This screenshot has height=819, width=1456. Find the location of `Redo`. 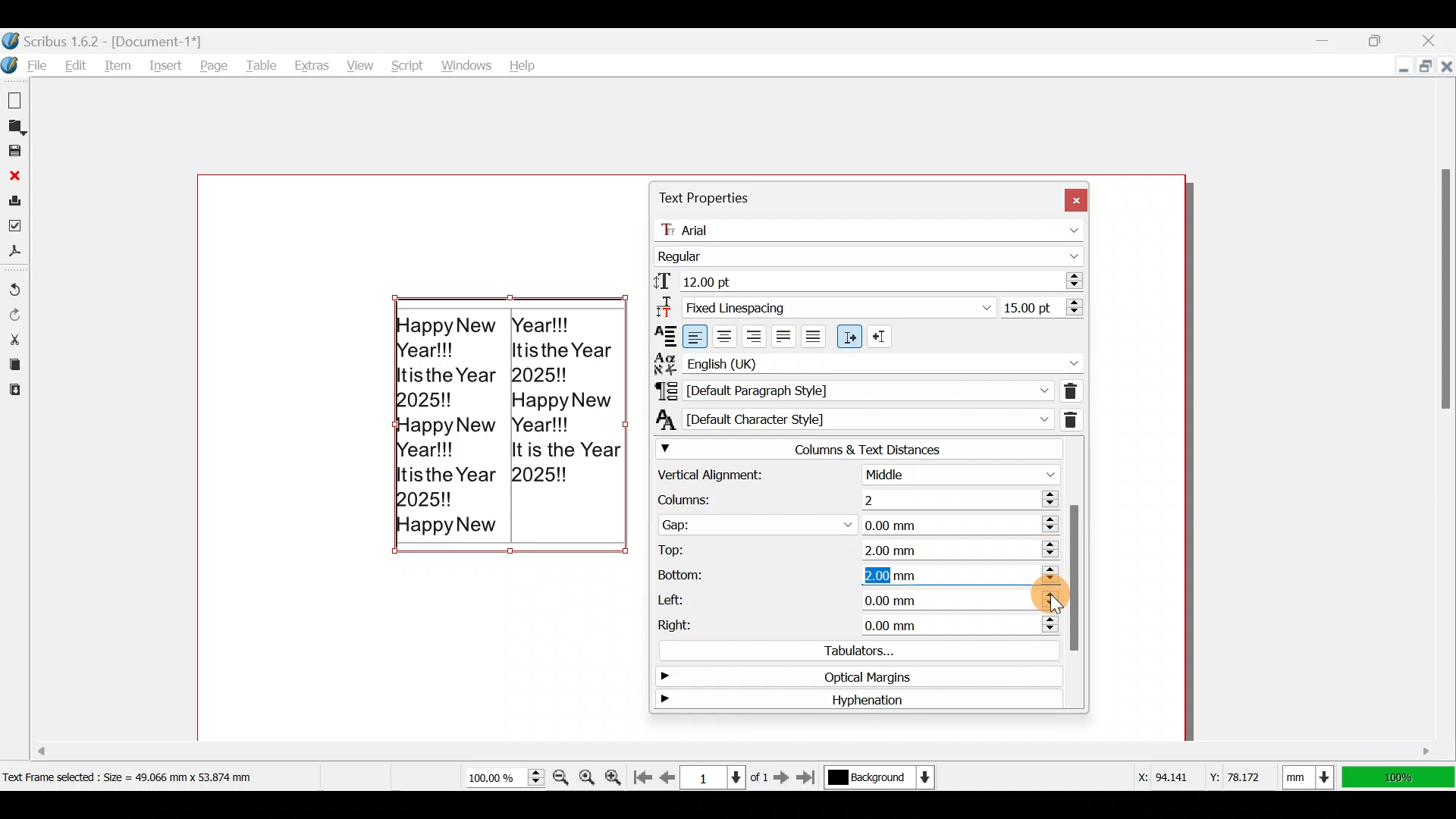

Redo is located at coordinates (17, 313).